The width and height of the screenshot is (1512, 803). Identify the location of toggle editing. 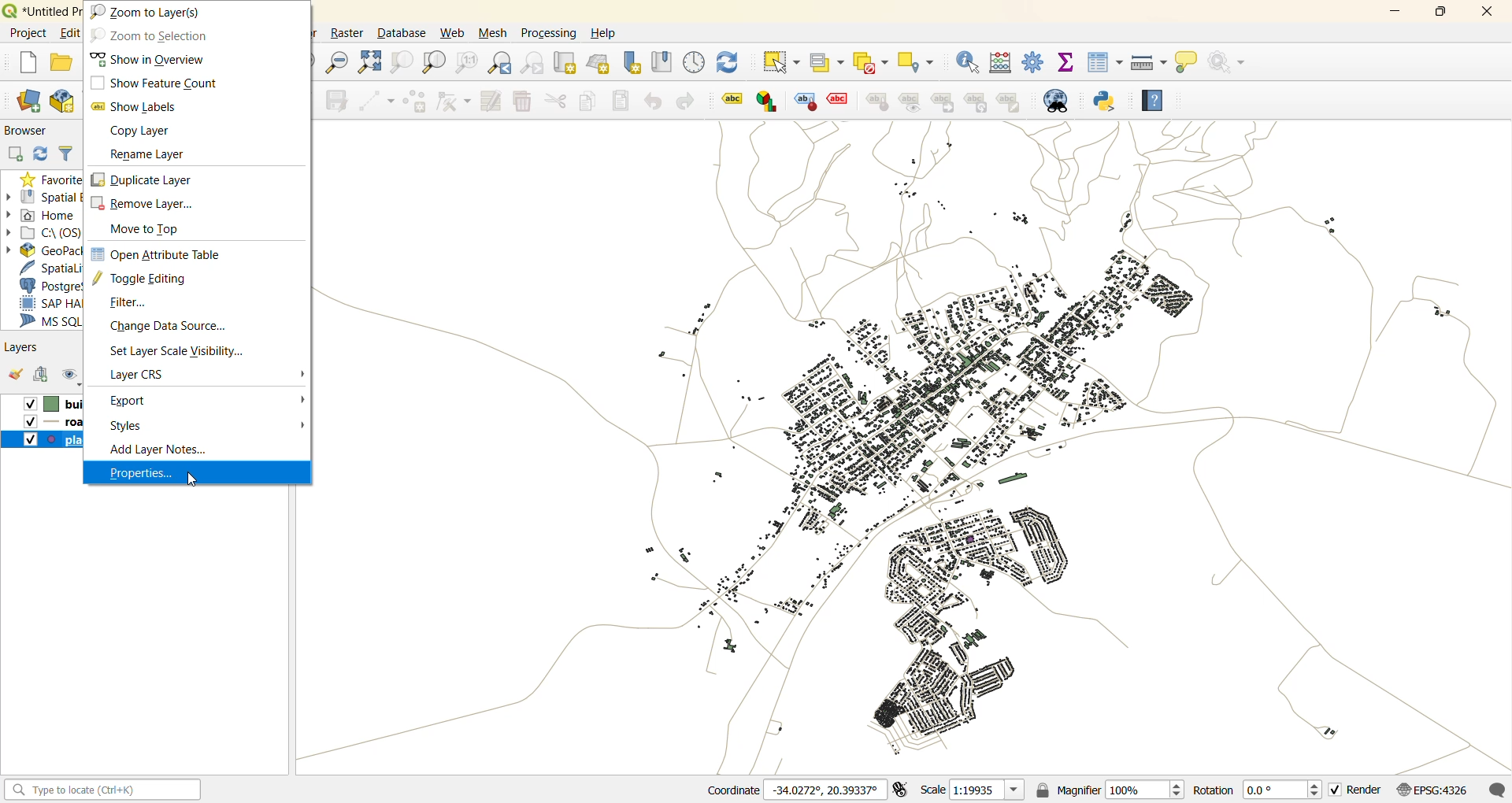
(157, 281).